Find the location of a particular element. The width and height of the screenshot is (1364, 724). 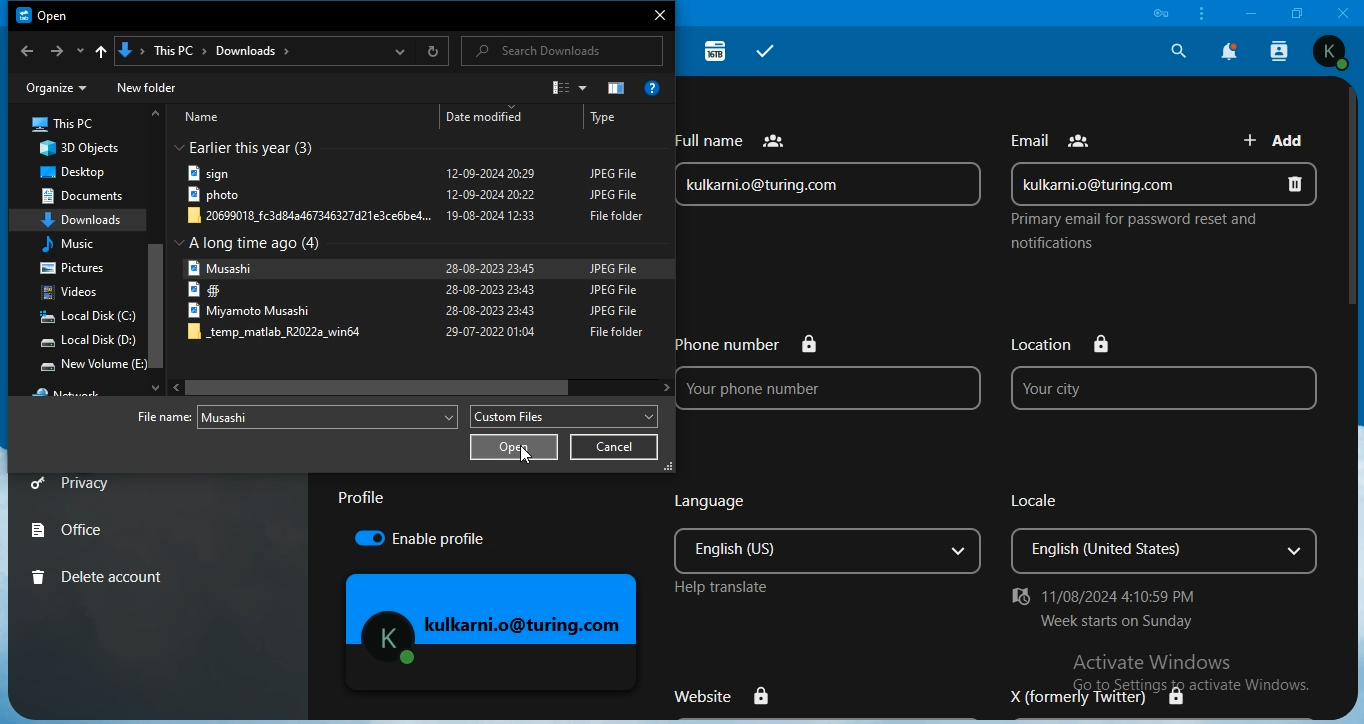

text is located at coordinates (1123, 610).